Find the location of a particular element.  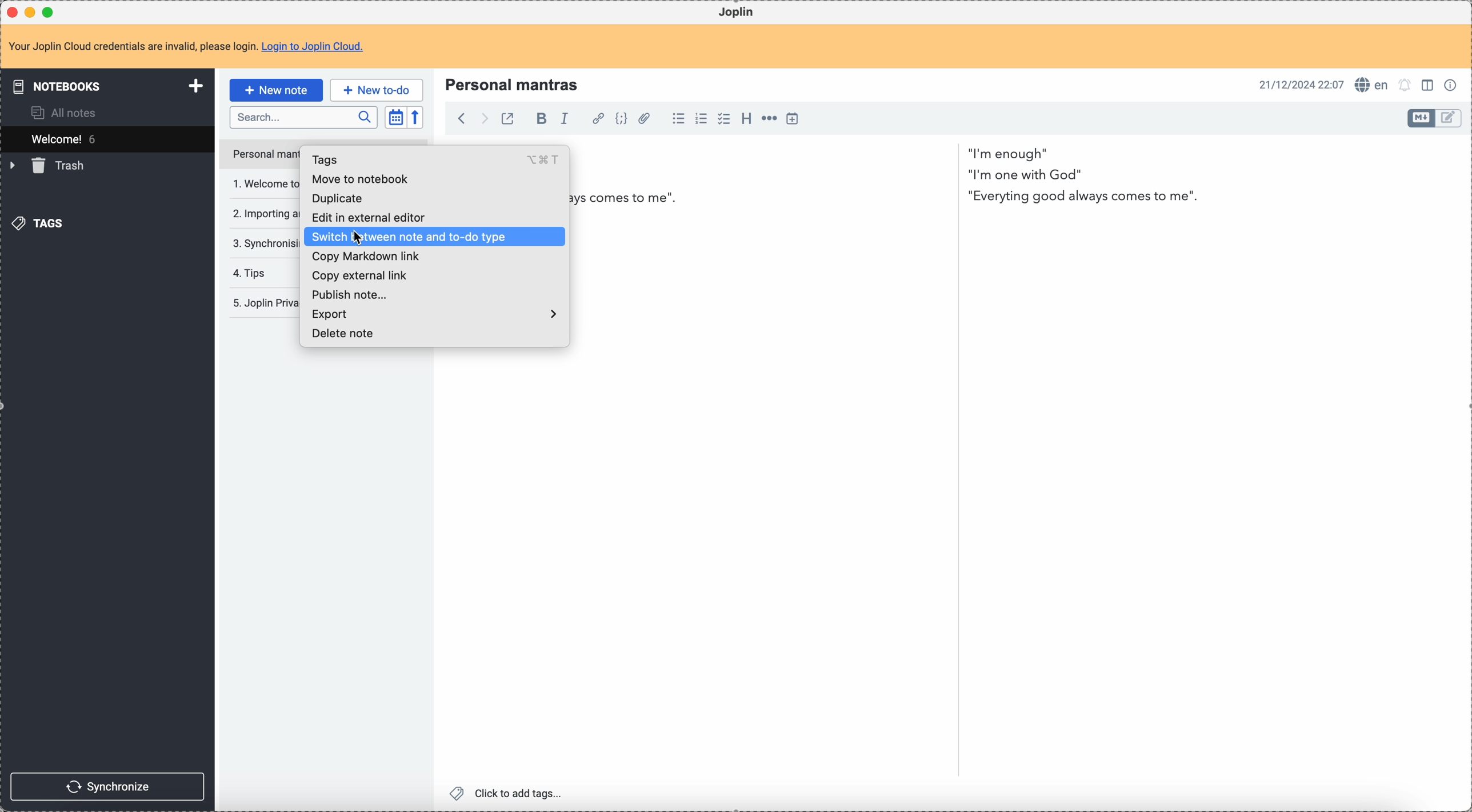

click to add tags is located at coordinates (509, 792).